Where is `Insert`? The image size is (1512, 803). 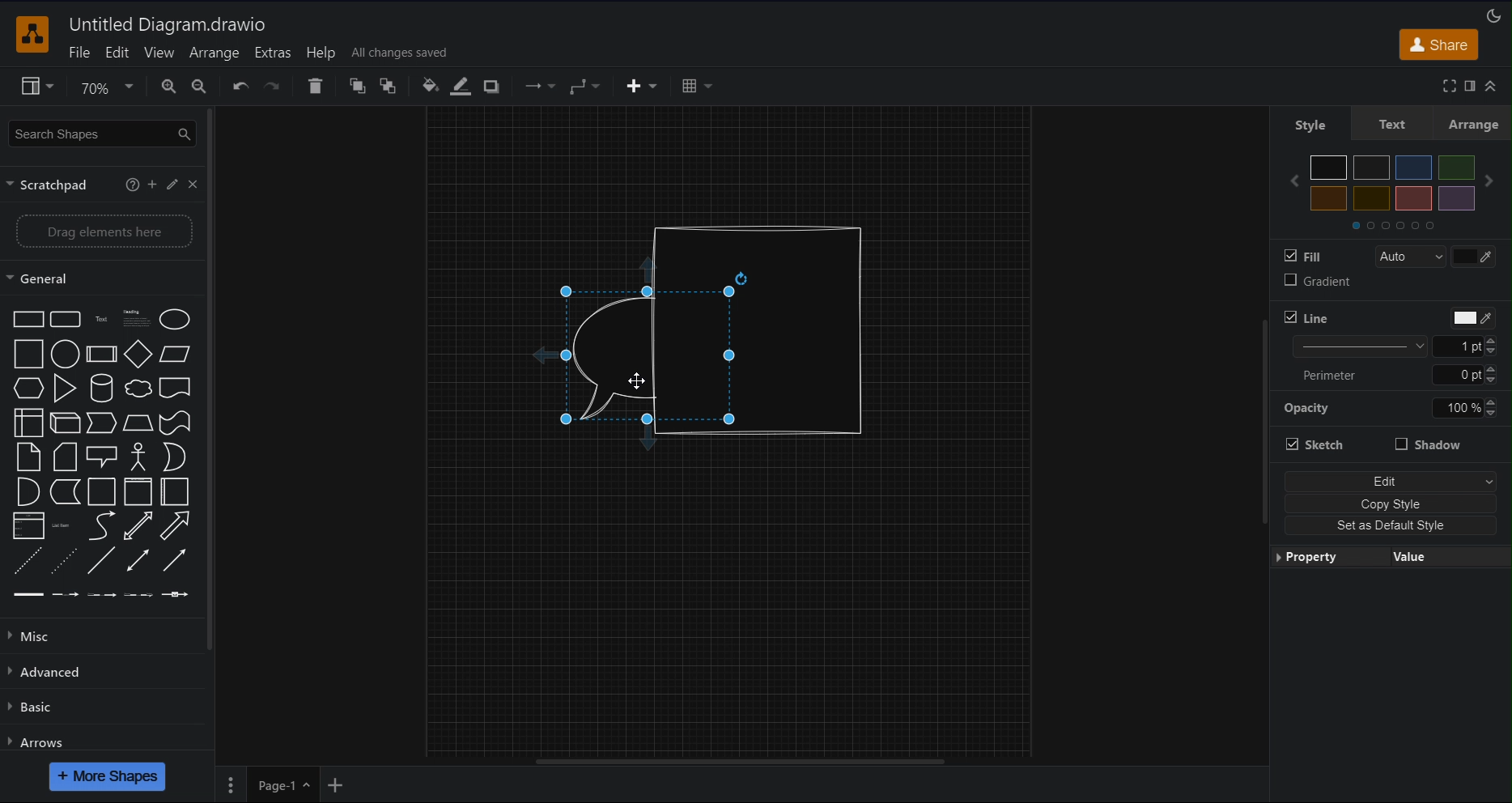 Insert is located at coordinates (645, 86).